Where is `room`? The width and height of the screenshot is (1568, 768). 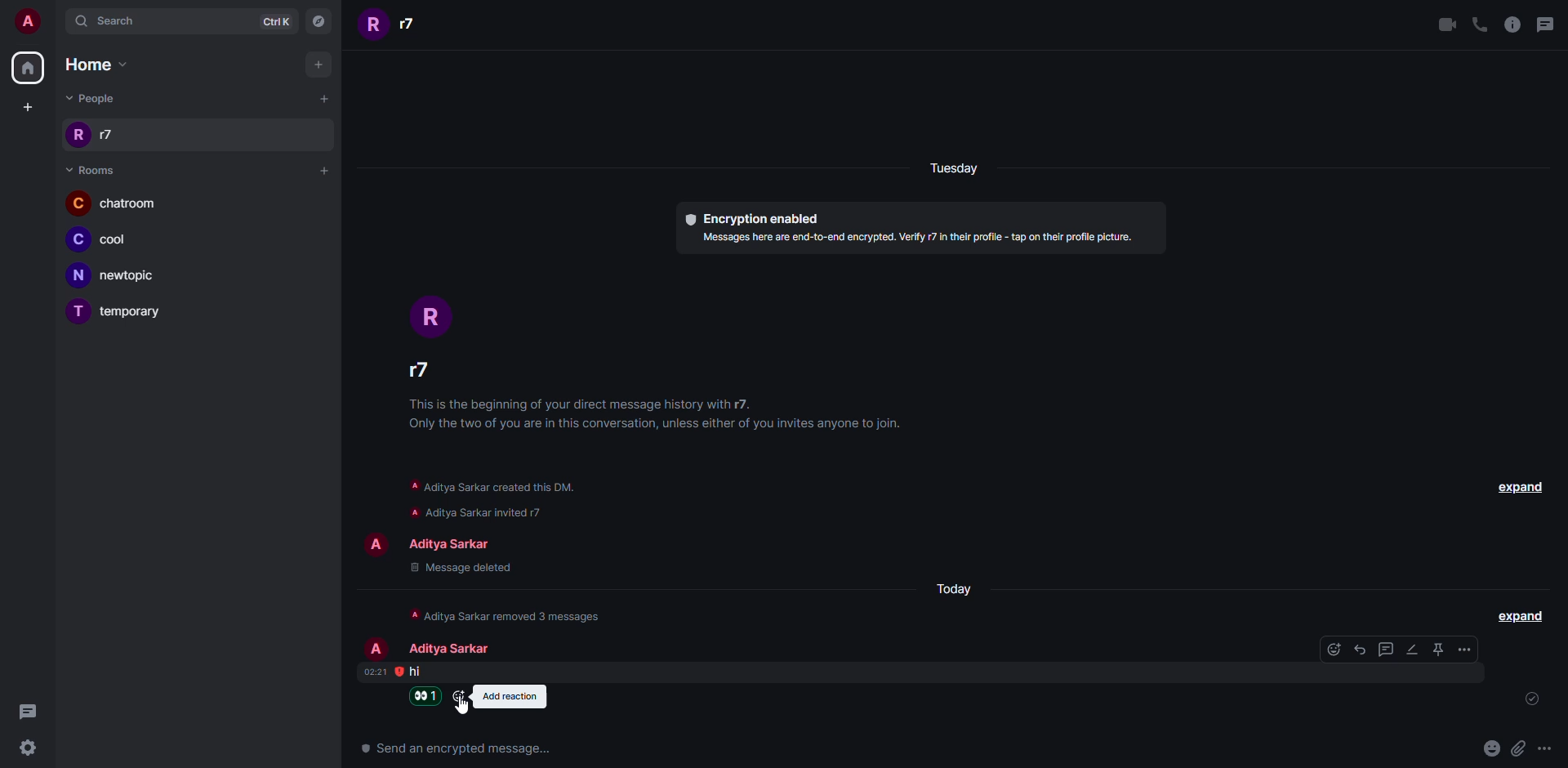 room is located at coordinates (109, 242).